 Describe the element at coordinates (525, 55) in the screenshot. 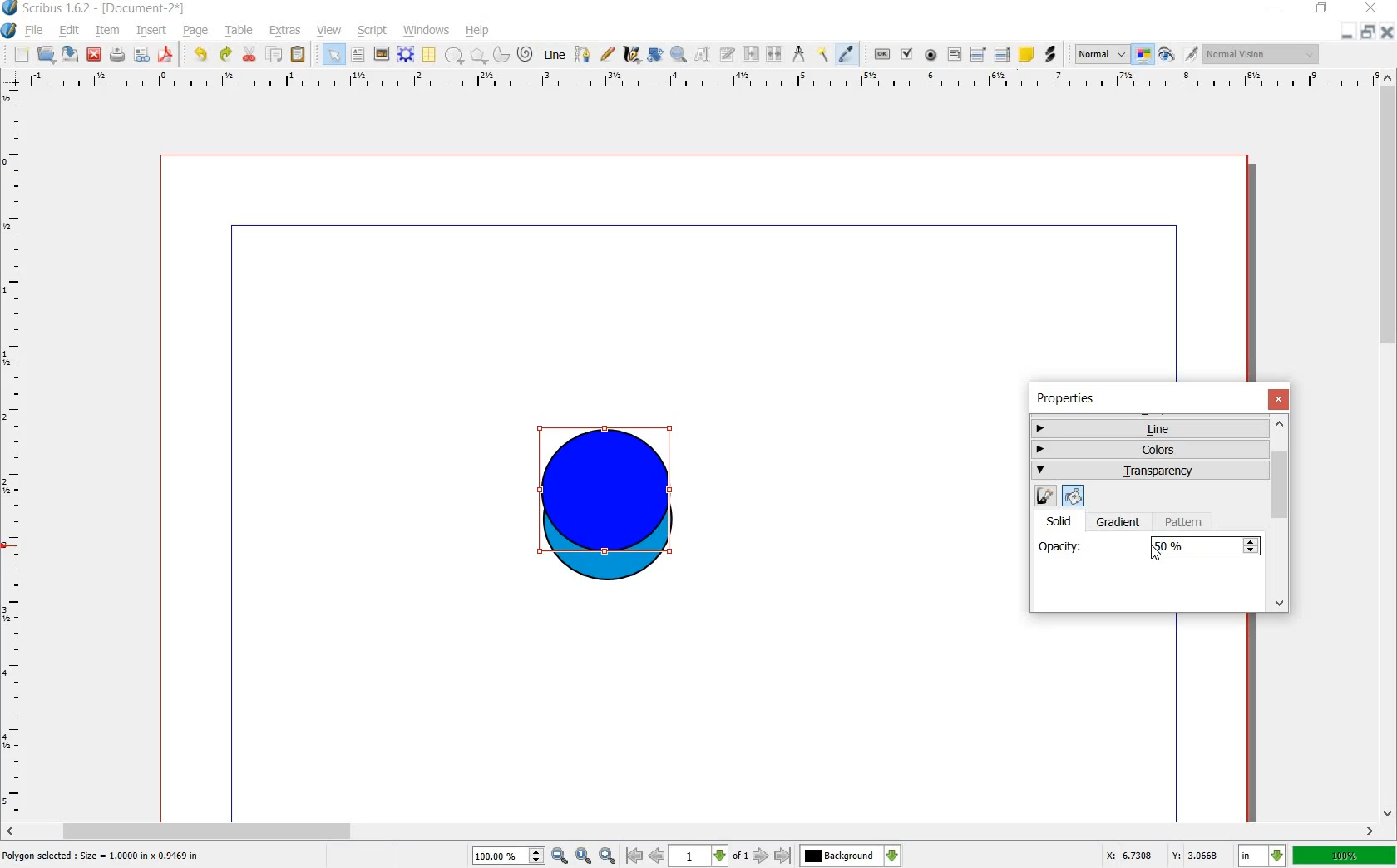

I see `spiral` at that location.